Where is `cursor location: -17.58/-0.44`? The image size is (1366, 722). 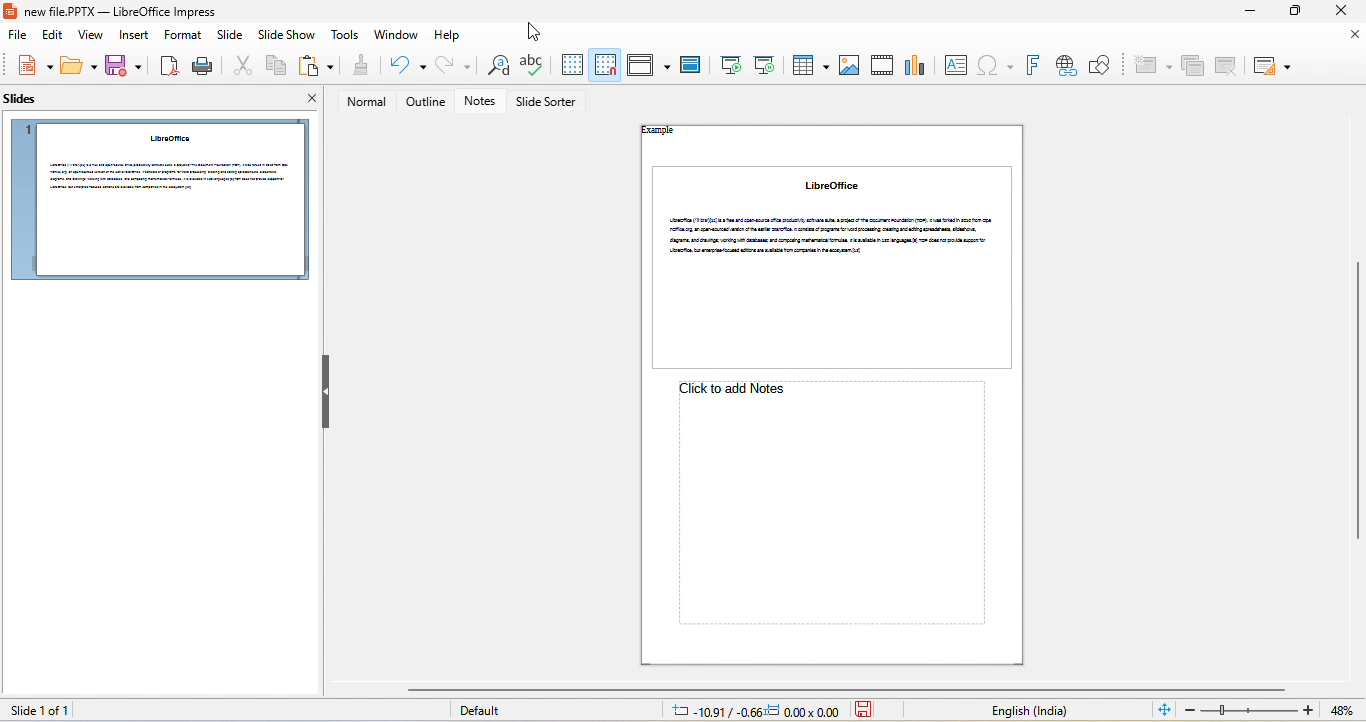
cursor location: -17.58/-0.44 is located at coordinates (713, 711).